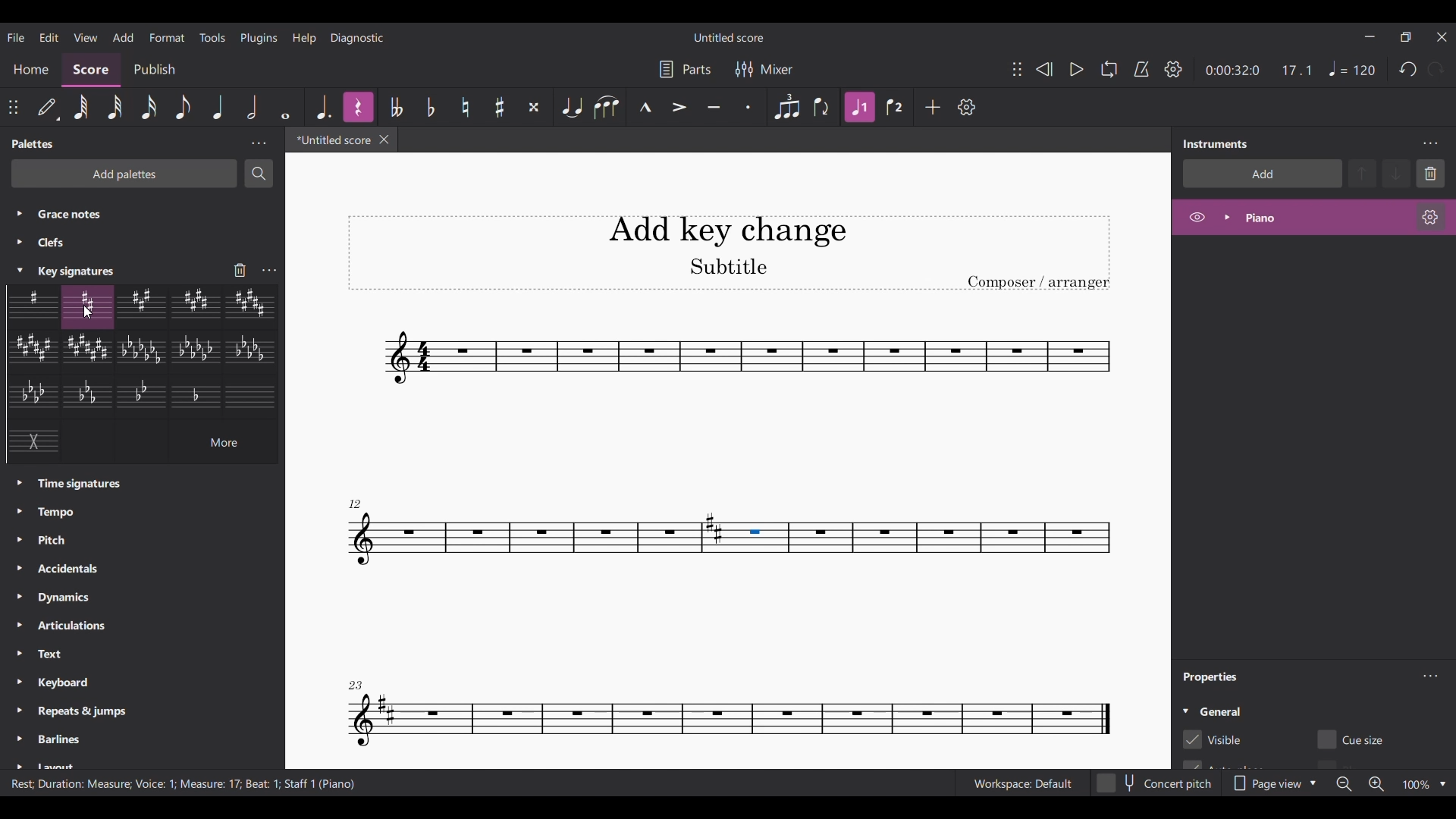 The image size is (1456, 819). I want to click on Slur, so click(606, 106).